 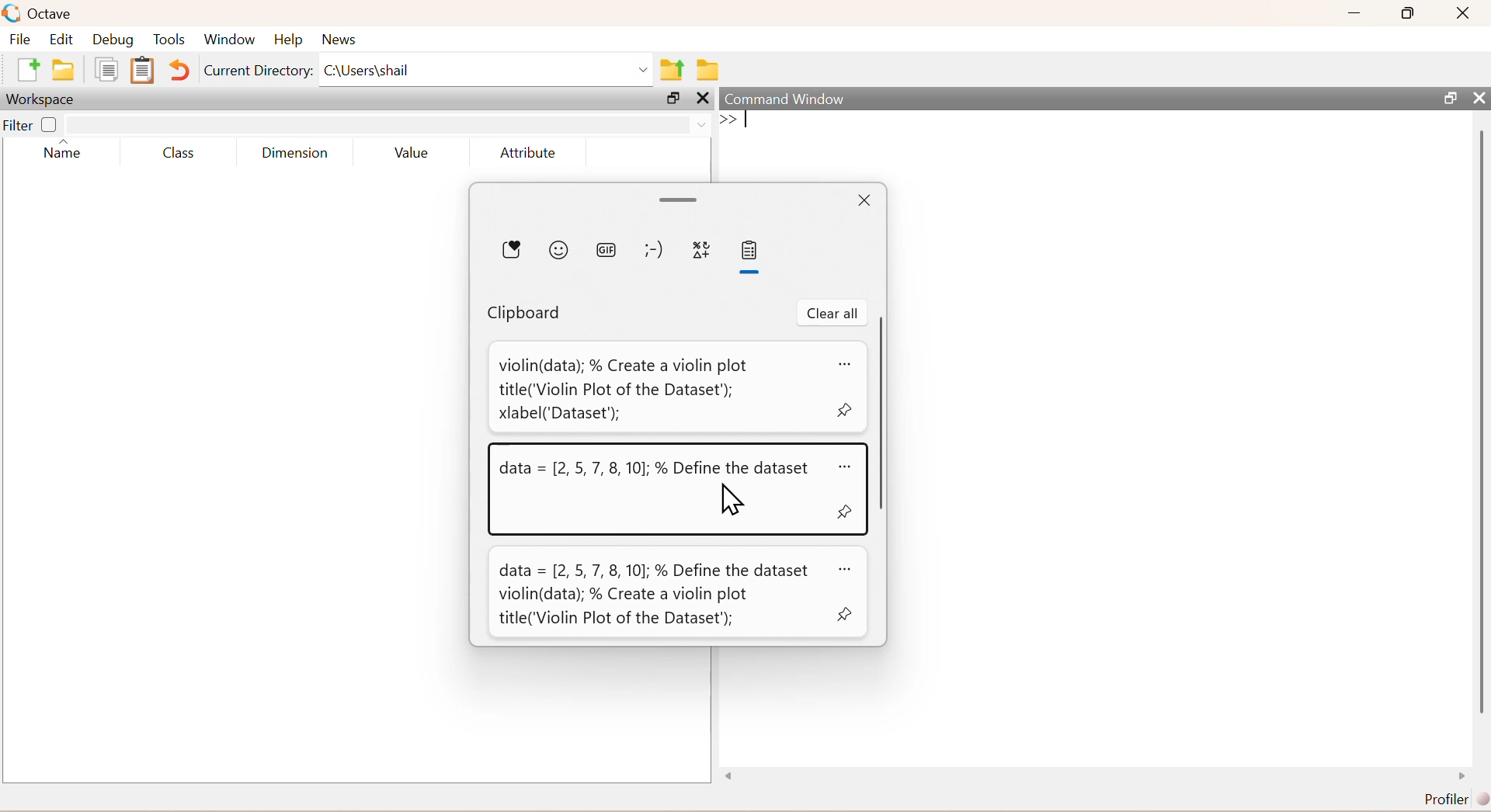 What do you see at coordinates (787, 99) in the screenshot?
I see `command window` at bounding box center [787, 99].